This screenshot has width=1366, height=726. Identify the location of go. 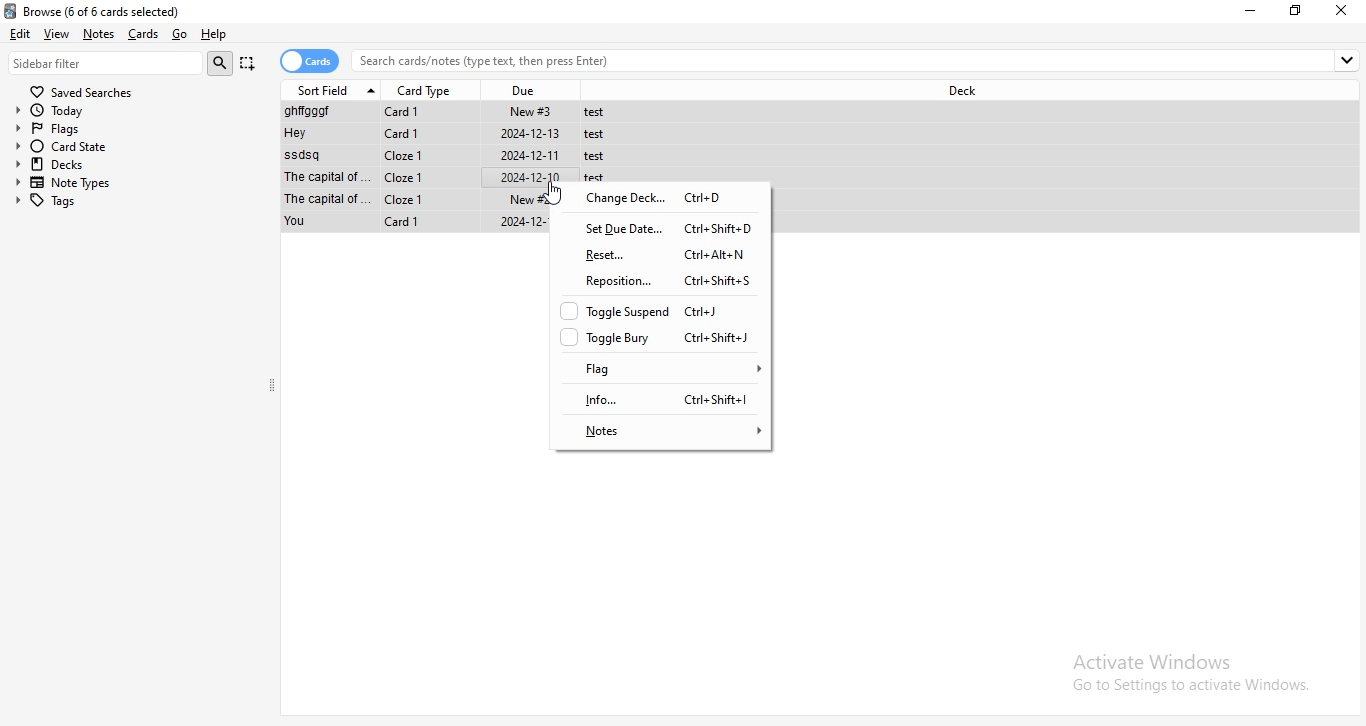
(180, 33).